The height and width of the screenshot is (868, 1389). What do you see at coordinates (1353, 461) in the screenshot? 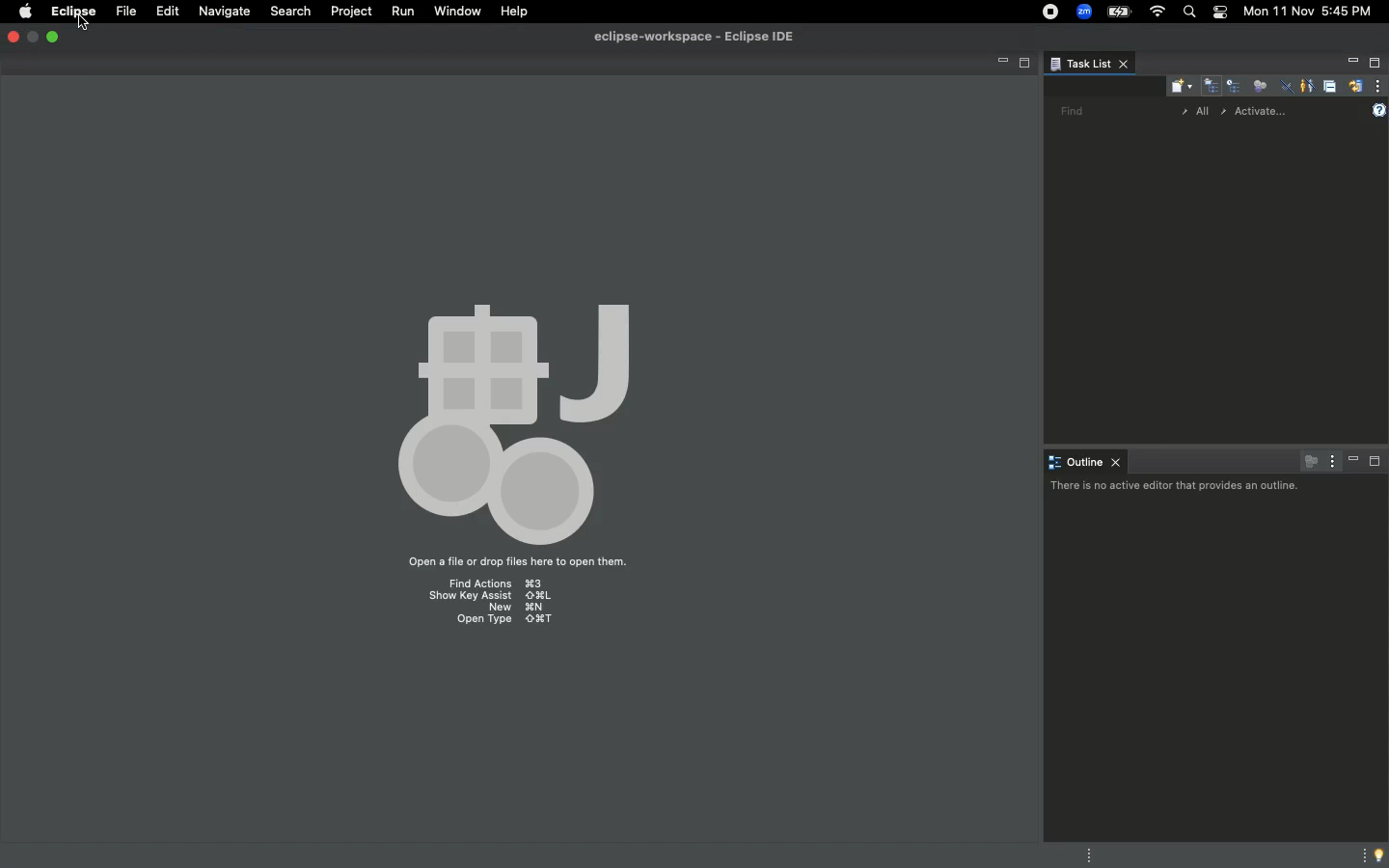
I see `Minimize` at bounding box center [1353, 461].